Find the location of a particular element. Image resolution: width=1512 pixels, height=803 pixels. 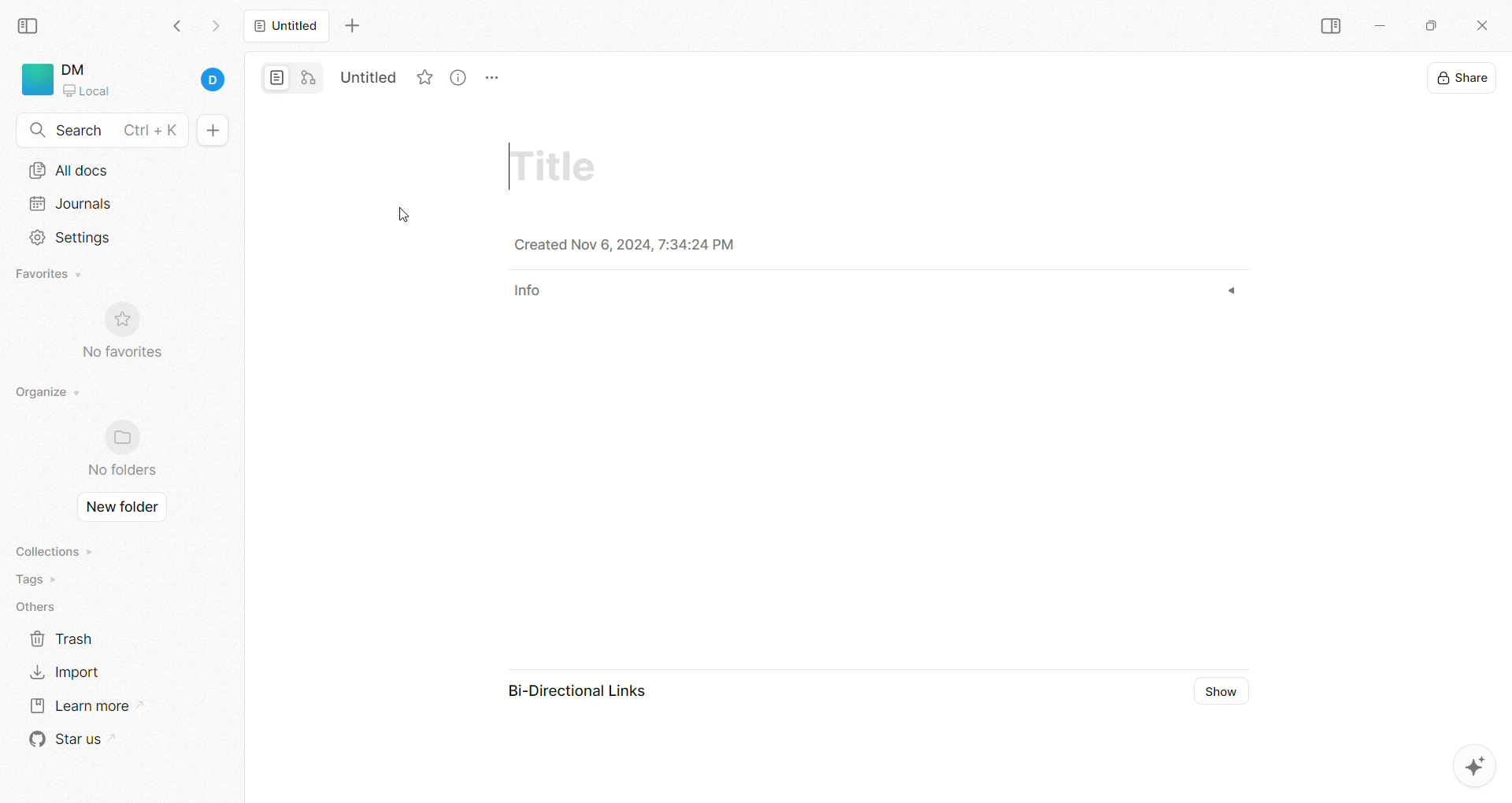

show is located at coordinates (1227, 693).